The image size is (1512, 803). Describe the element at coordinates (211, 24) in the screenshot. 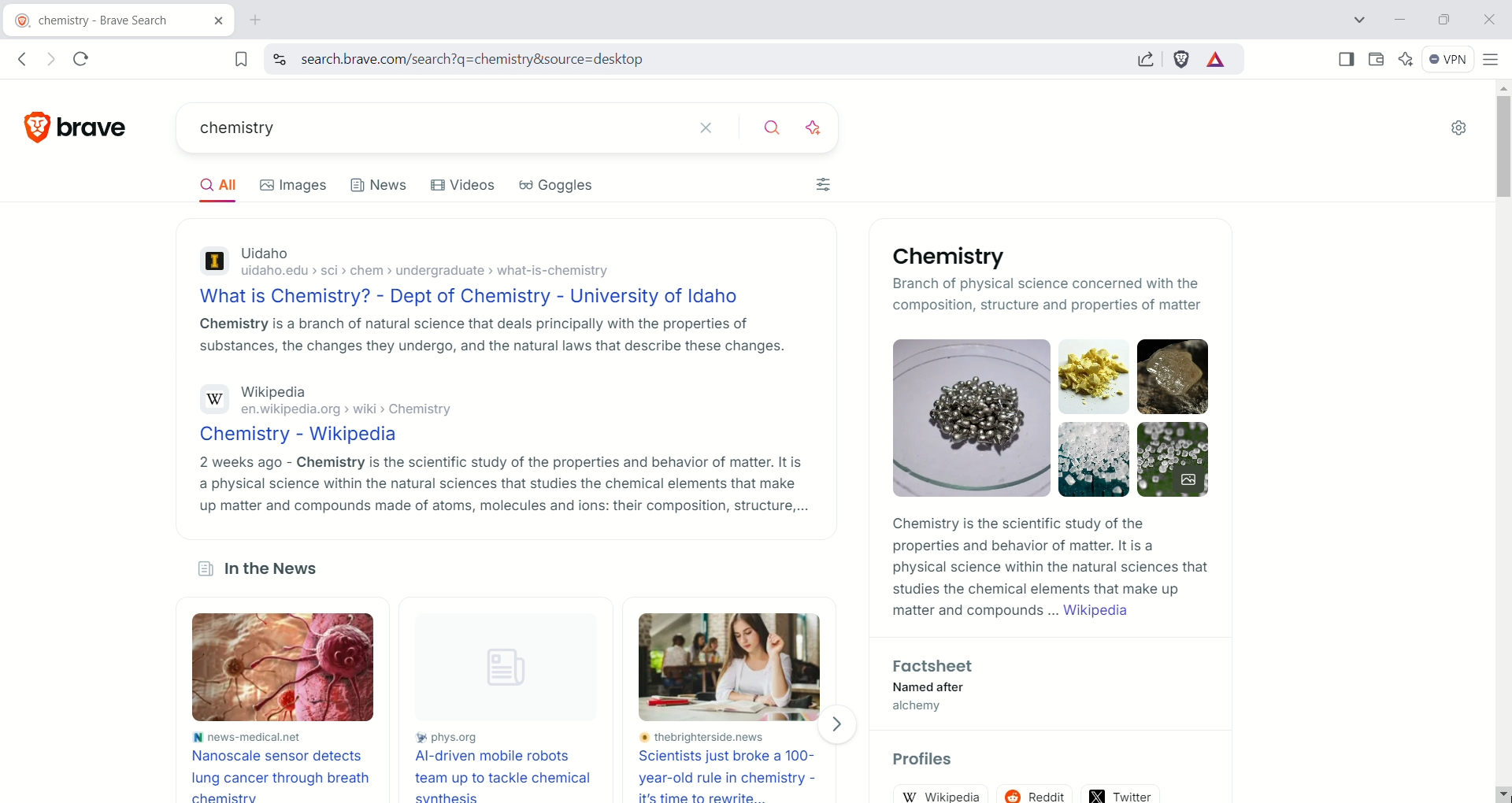

I see `close` at that location.